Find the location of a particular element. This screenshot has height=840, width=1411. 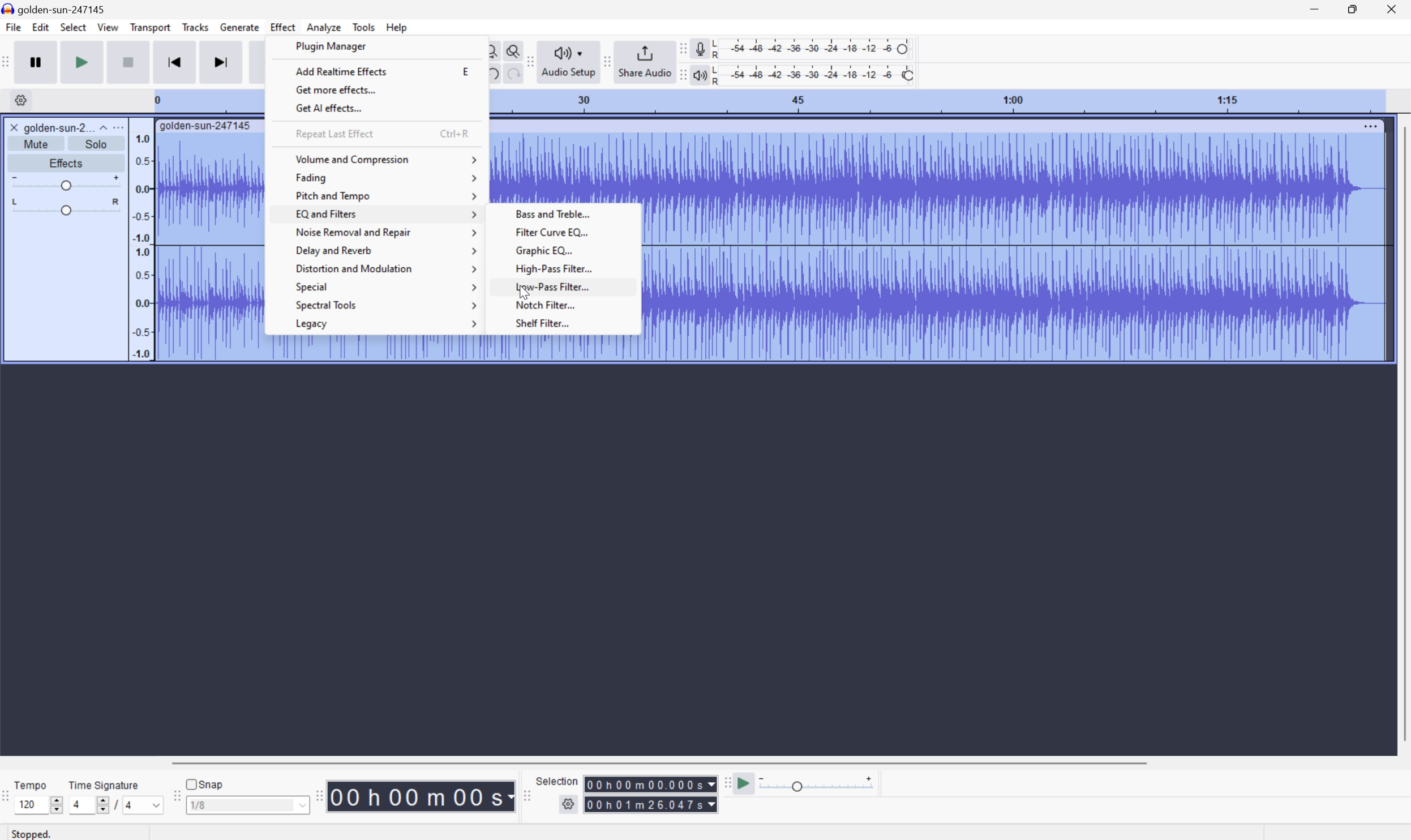

File is located at coordinates (12, 27).